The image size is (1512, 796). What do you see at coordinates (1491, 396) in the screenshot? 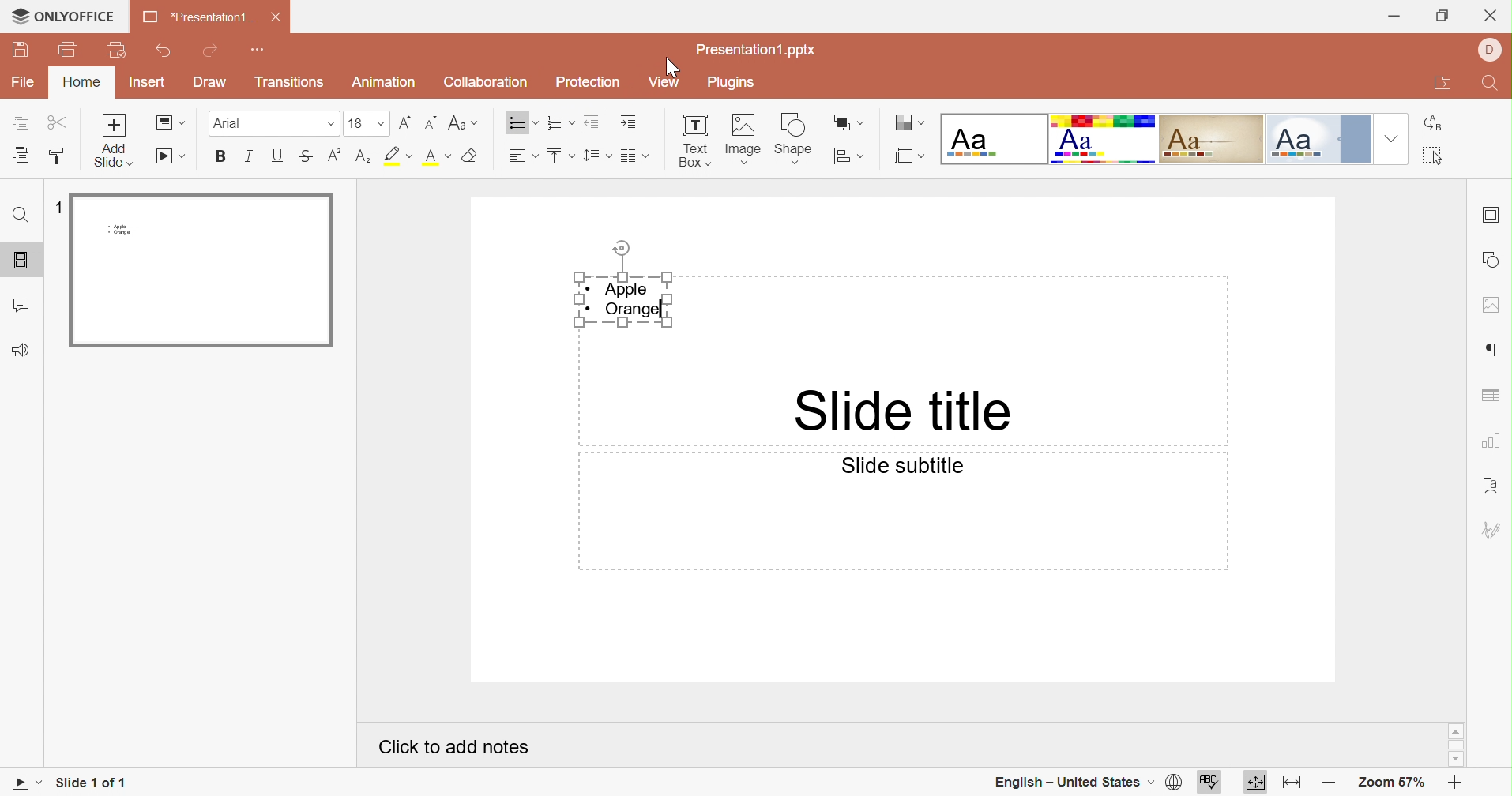
I see `table settings` at bounding box center [1491, 396].